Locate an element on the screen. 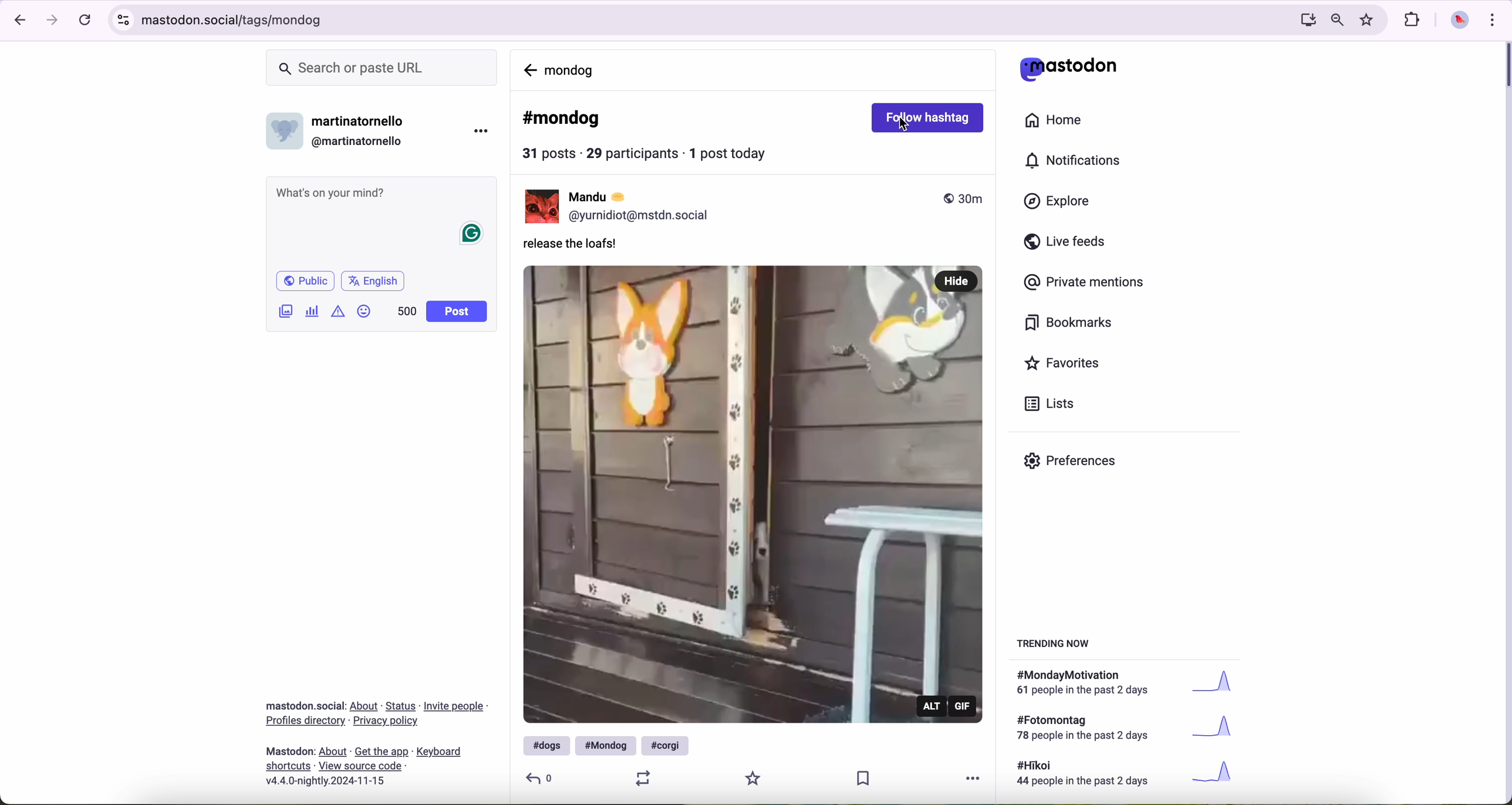  alt is located at coordinates (933, 705).